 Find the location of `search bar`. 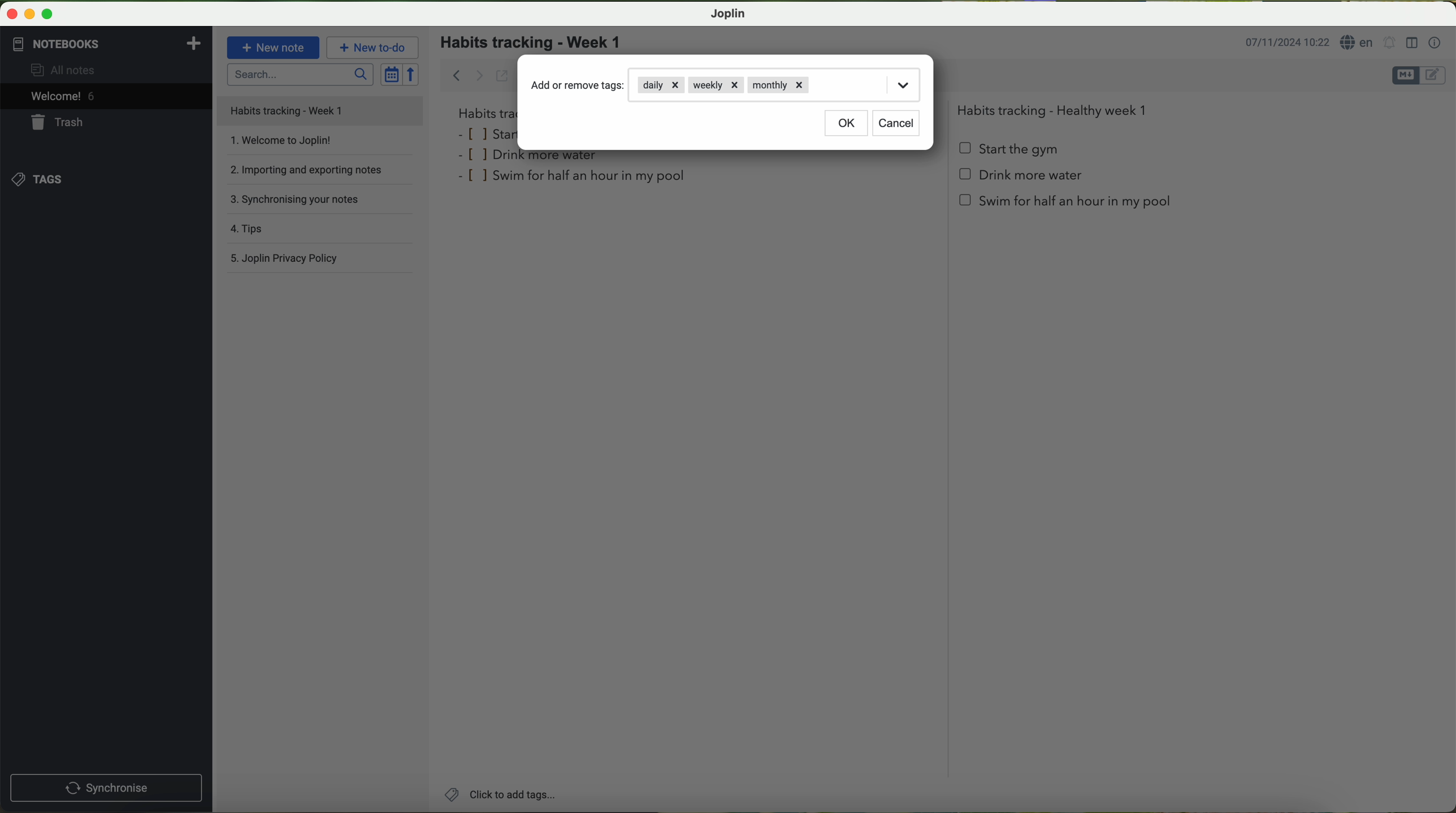

search bar is located at coordinates (299, 74).